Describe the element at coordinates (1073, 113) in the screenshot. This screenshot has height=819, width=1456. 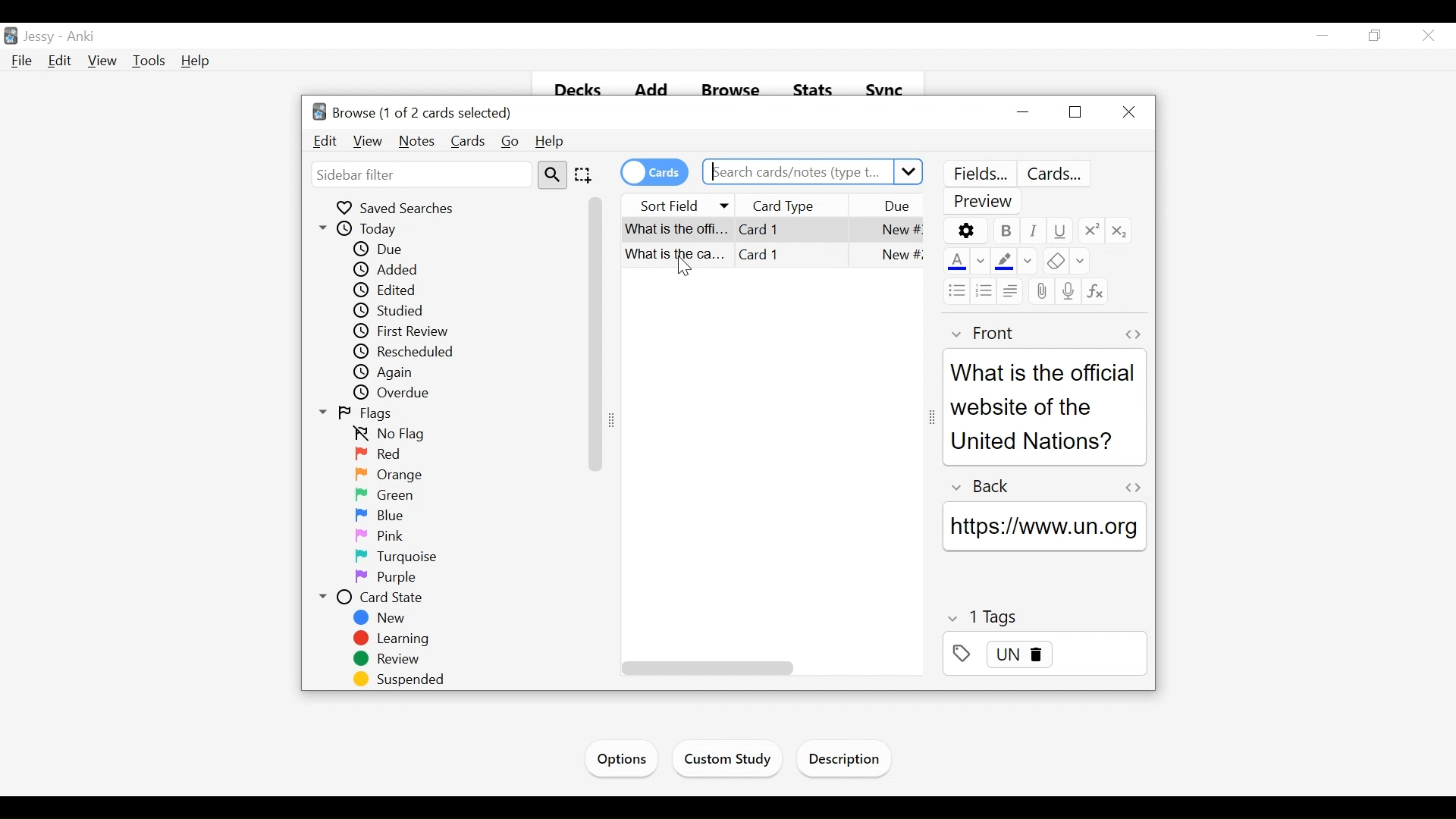
I see `Restore` at that location.